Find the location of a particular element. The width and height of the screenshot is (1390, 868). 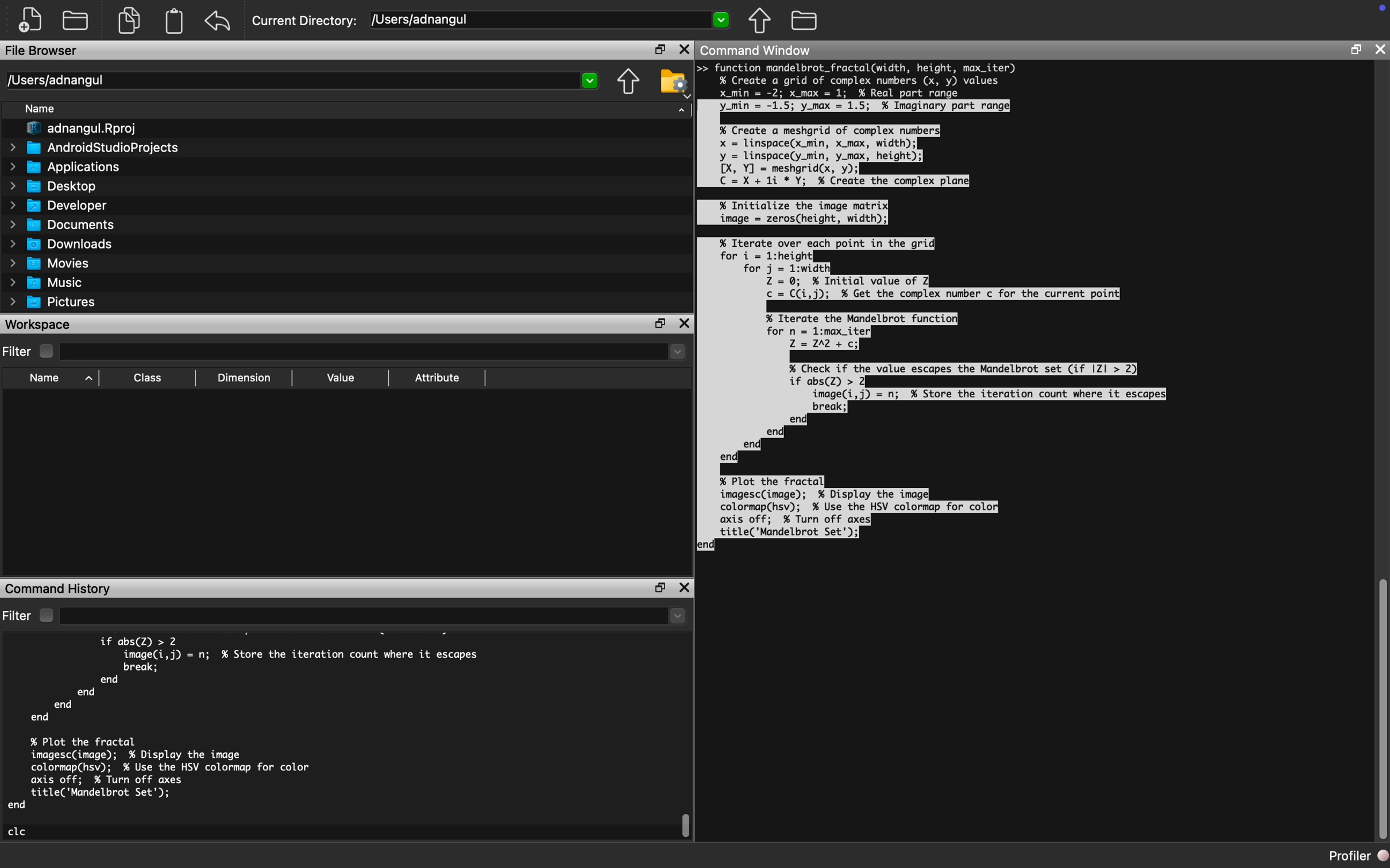

Developer is located at coordinates (61, 205).